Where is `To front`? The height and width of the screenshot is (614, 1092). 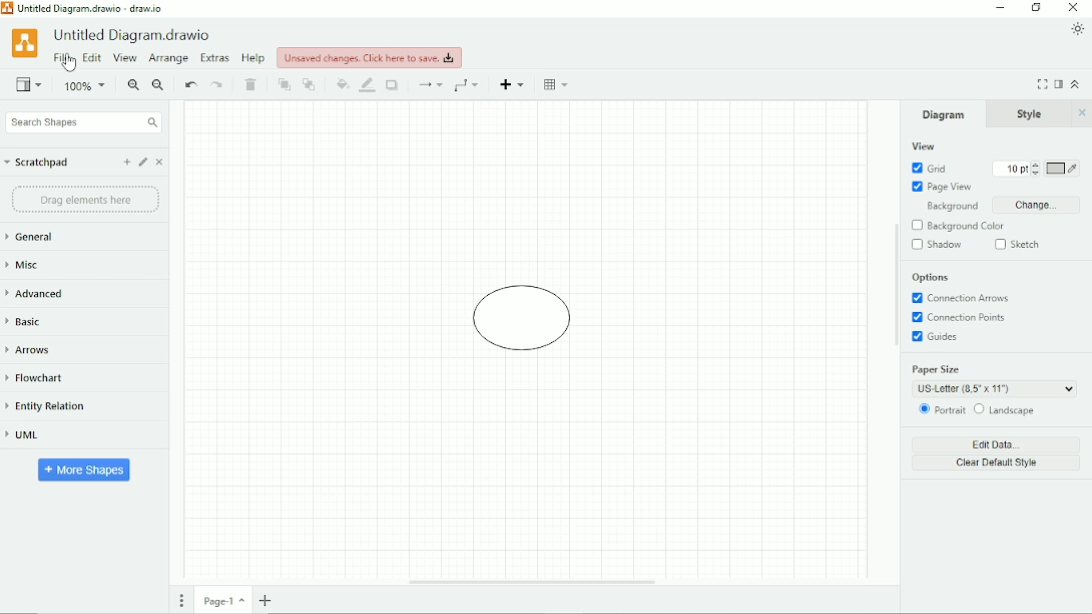 To front is located at coordinates (284, 85).